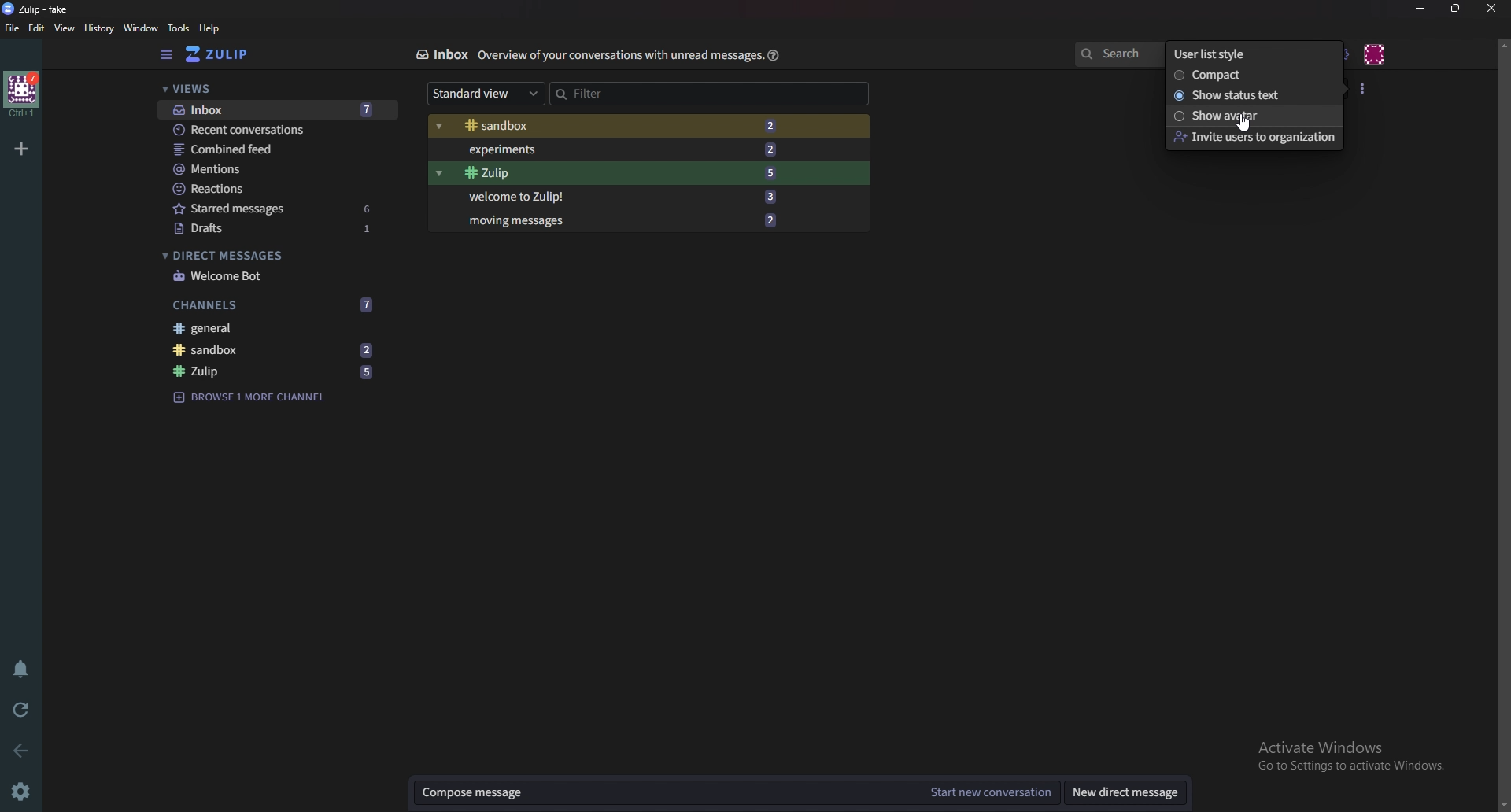 Image resolution: width=1511 pixels, height=812 pixels. I want to click on browse channel, so click(249, 398).